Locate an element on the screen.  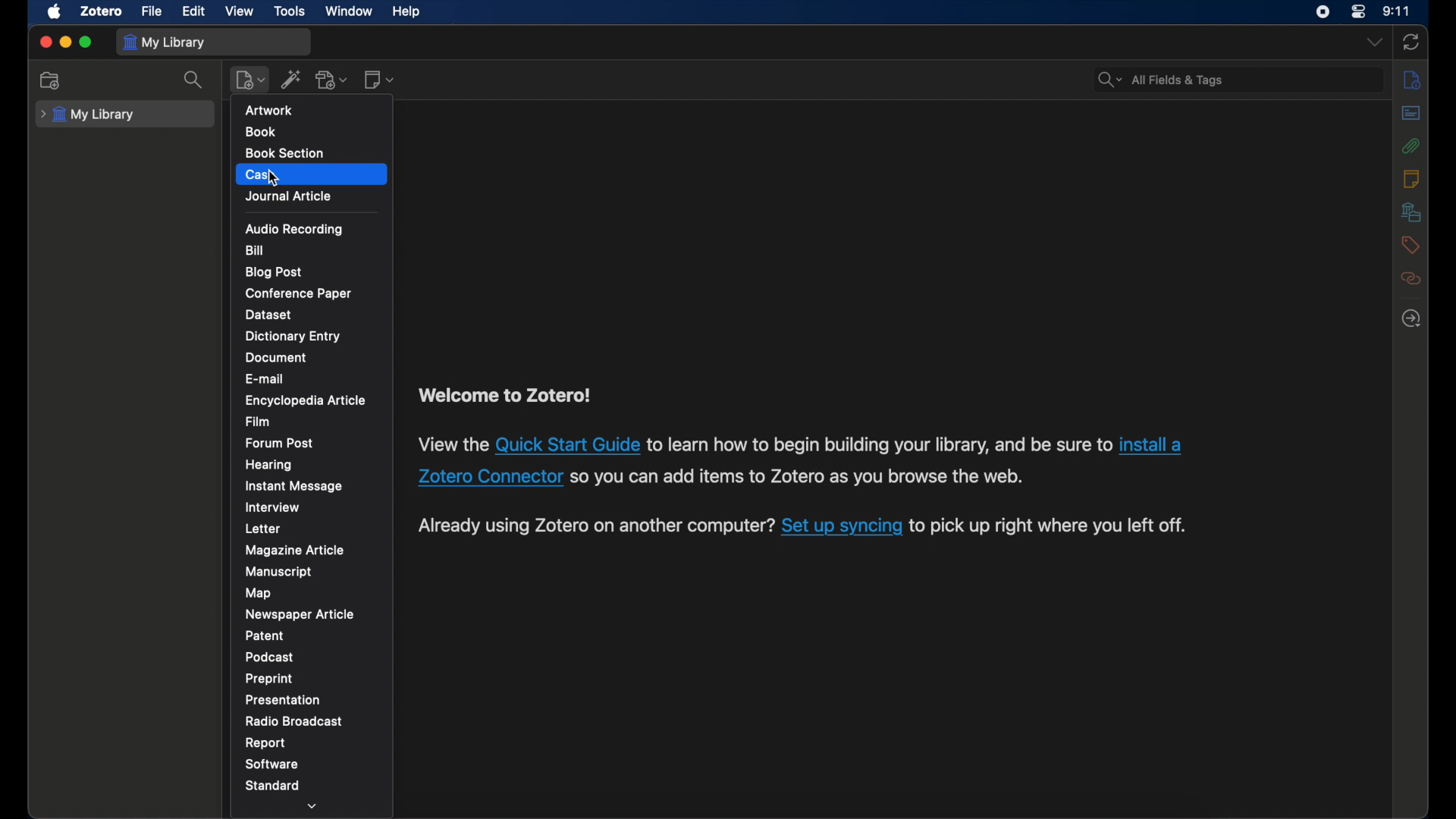
screen recorder is located at coordinates (1323, 12).